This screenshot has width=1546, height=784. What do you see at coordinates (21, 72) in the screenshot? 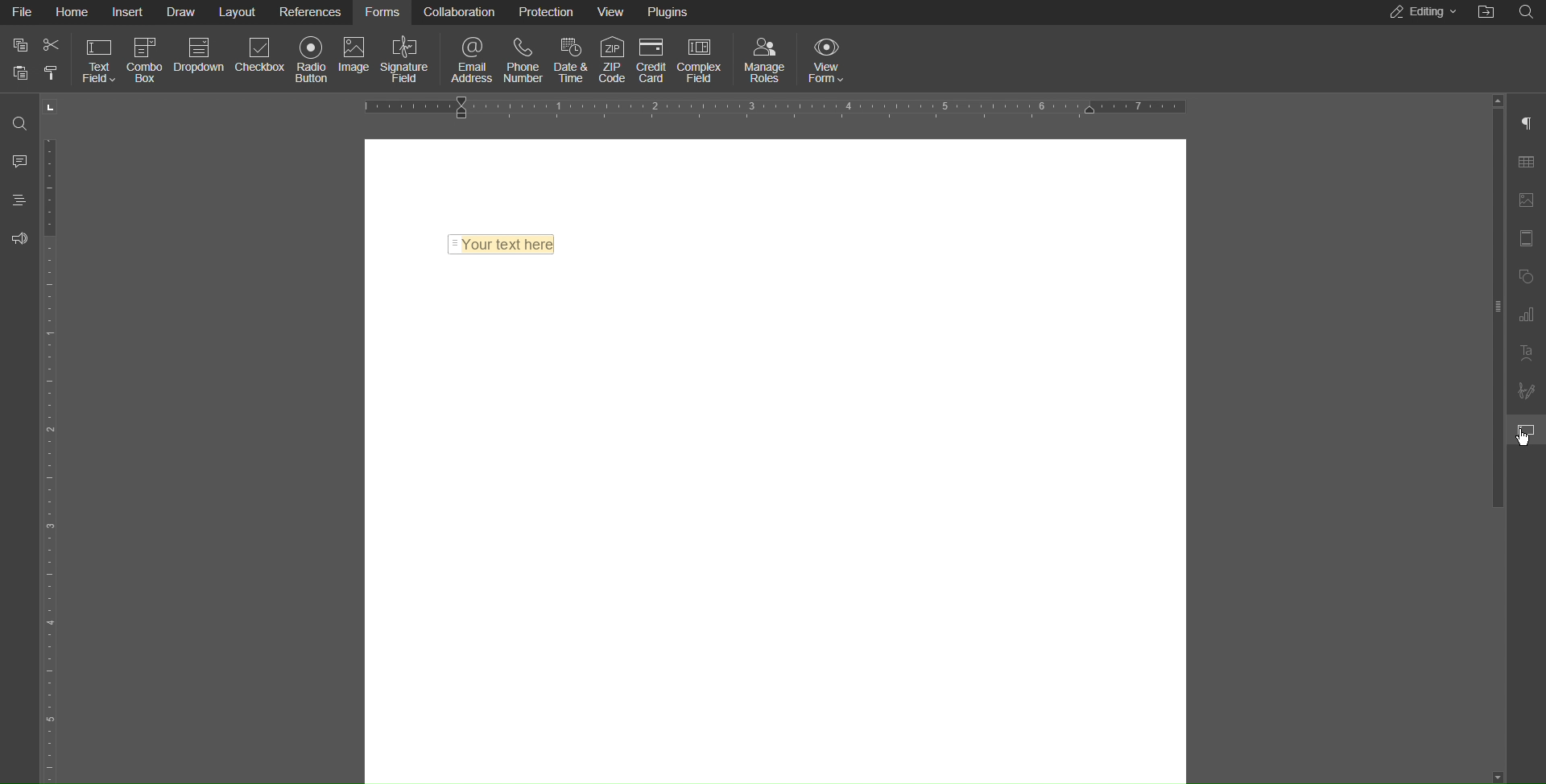
I see `paste` at bounding box center [21, 72].